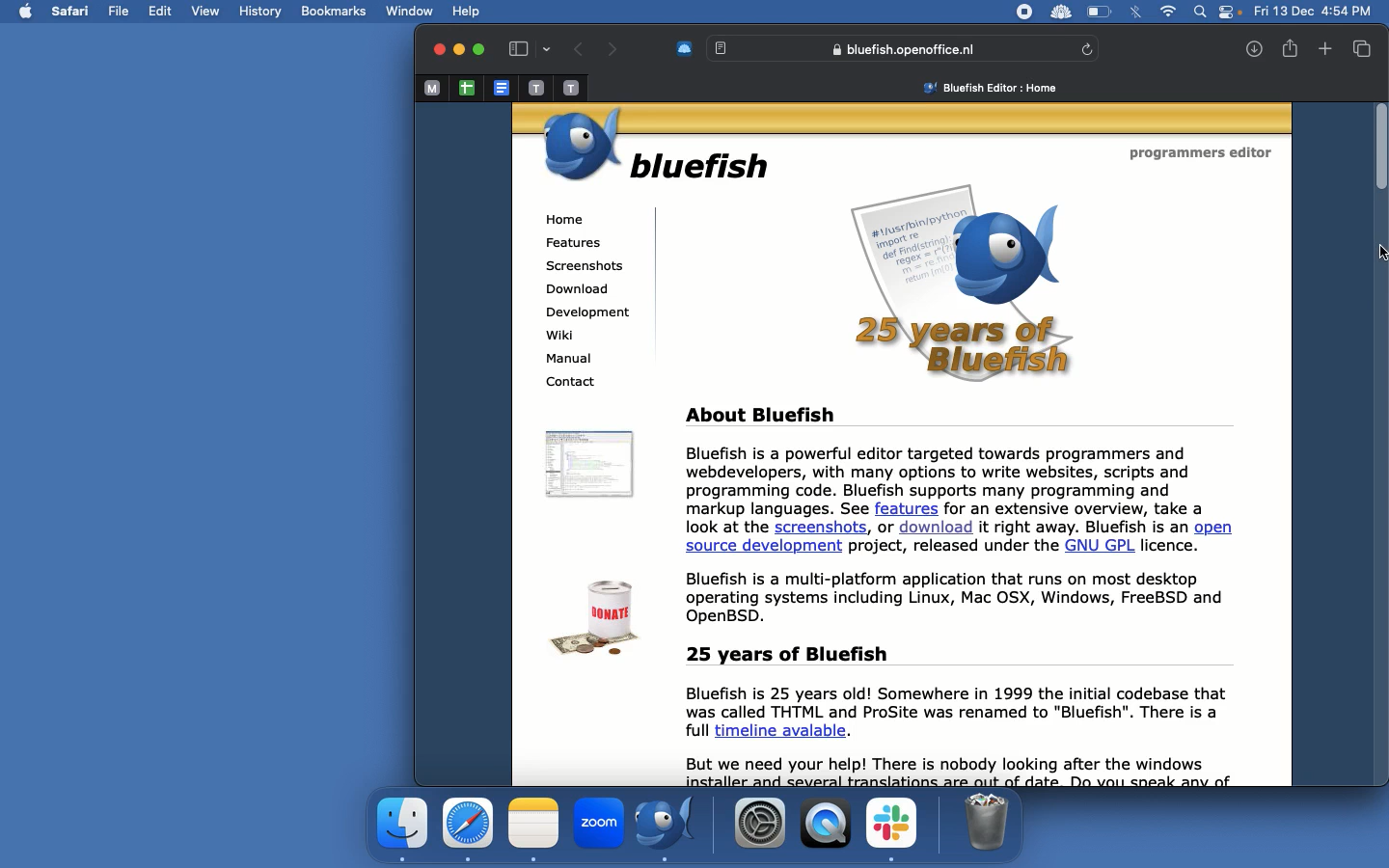 The height and width of the screenshot is (868, 1389). I want to click on Forward , so click(613, 48).